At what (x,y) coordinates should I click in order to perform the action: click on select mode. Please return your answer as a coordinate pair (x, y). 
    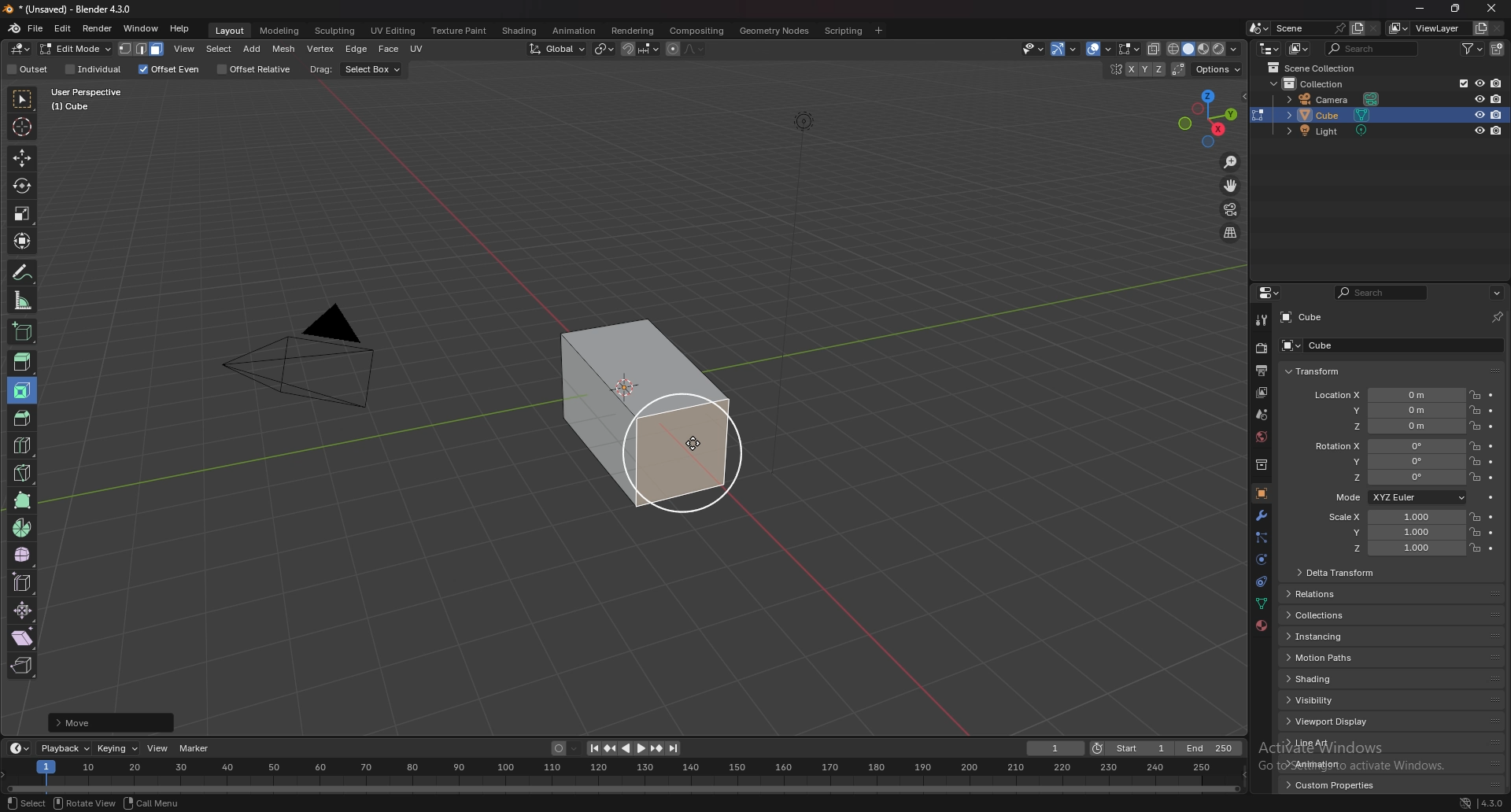
    Looking at the image, I should click on (142, 49).